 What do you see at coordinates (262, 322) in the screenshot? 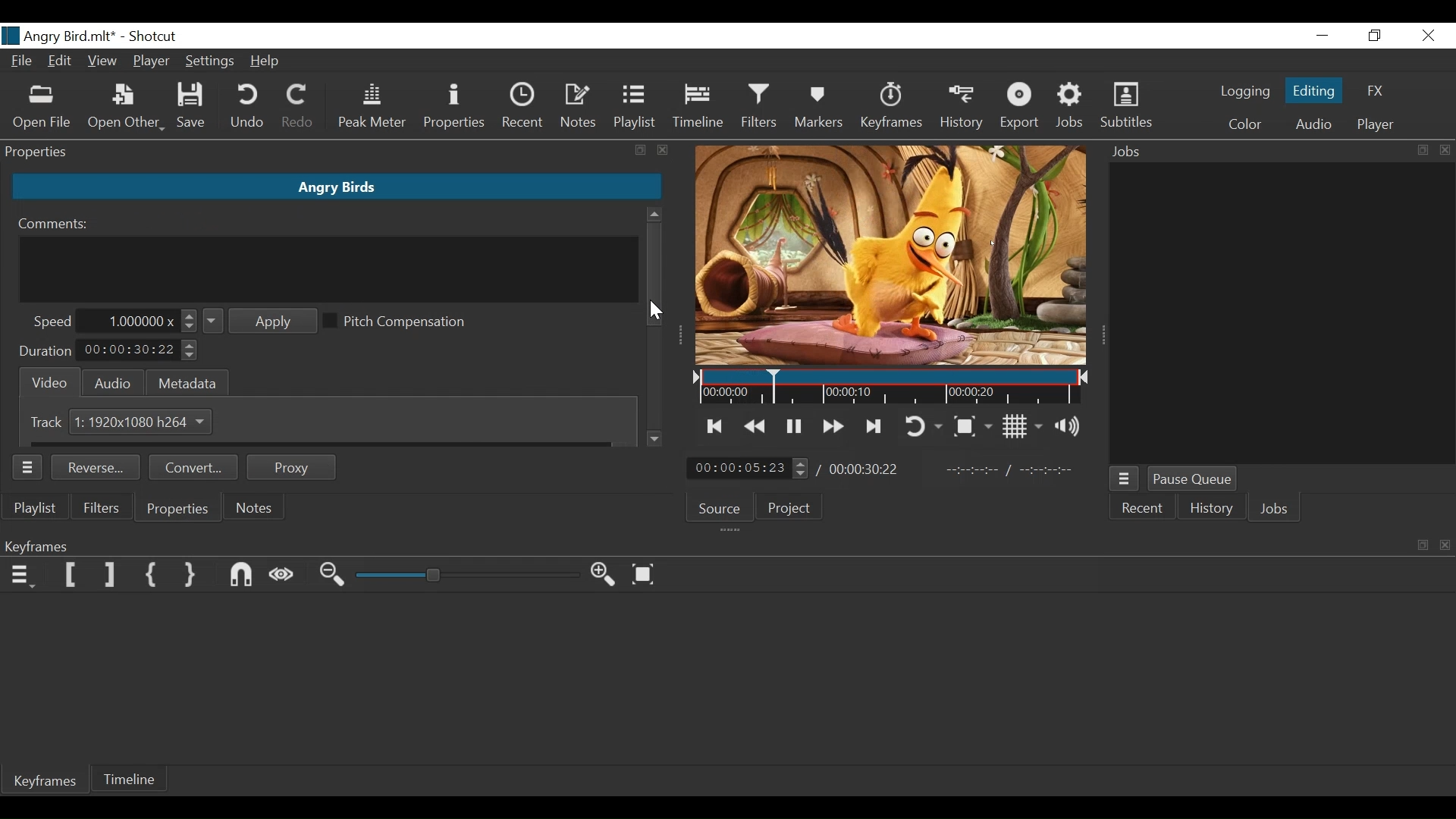
I see `Apply` at bounding box center [262, 322].